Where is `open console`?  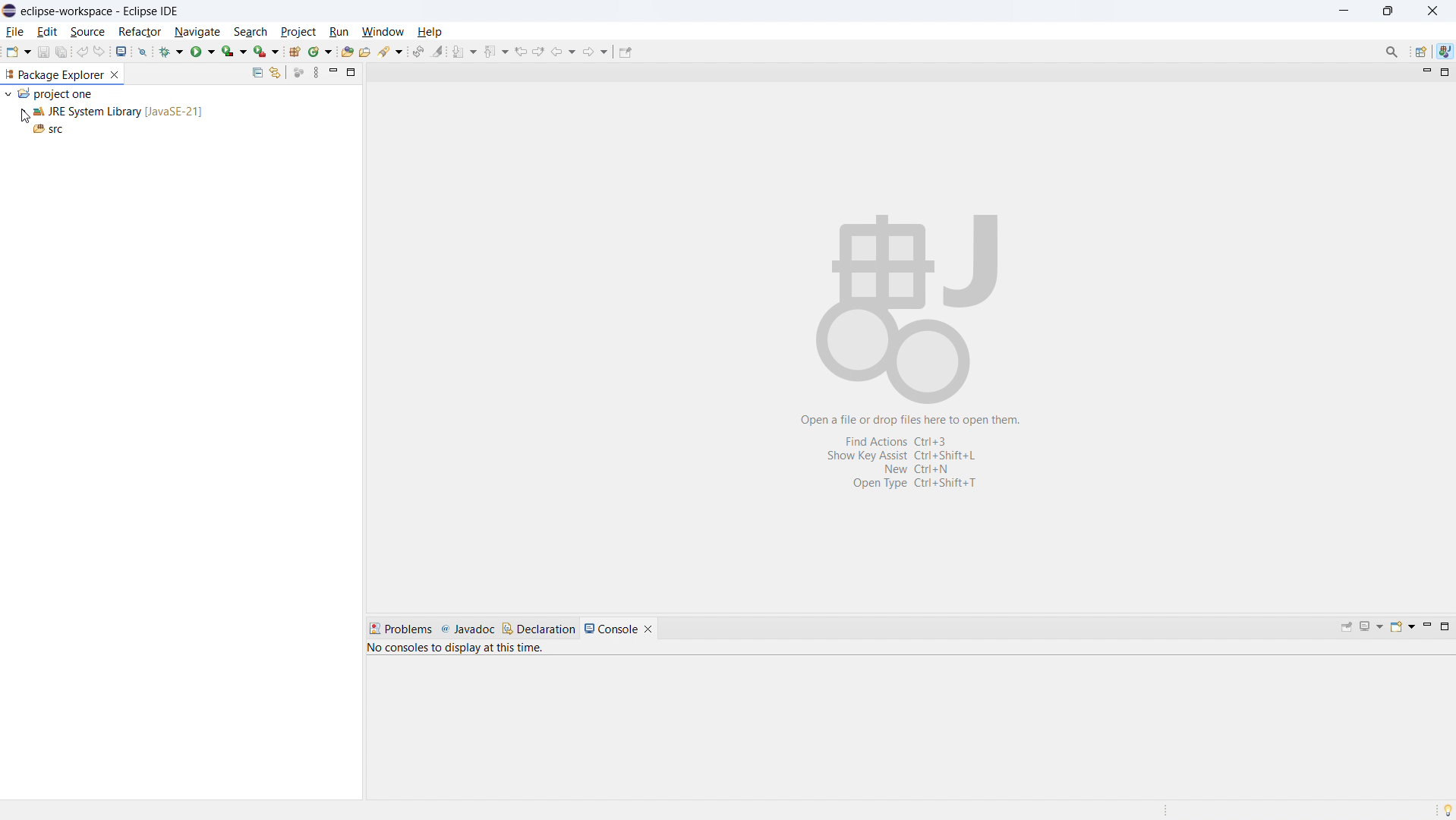 open console is located at coordinates (121, 51).